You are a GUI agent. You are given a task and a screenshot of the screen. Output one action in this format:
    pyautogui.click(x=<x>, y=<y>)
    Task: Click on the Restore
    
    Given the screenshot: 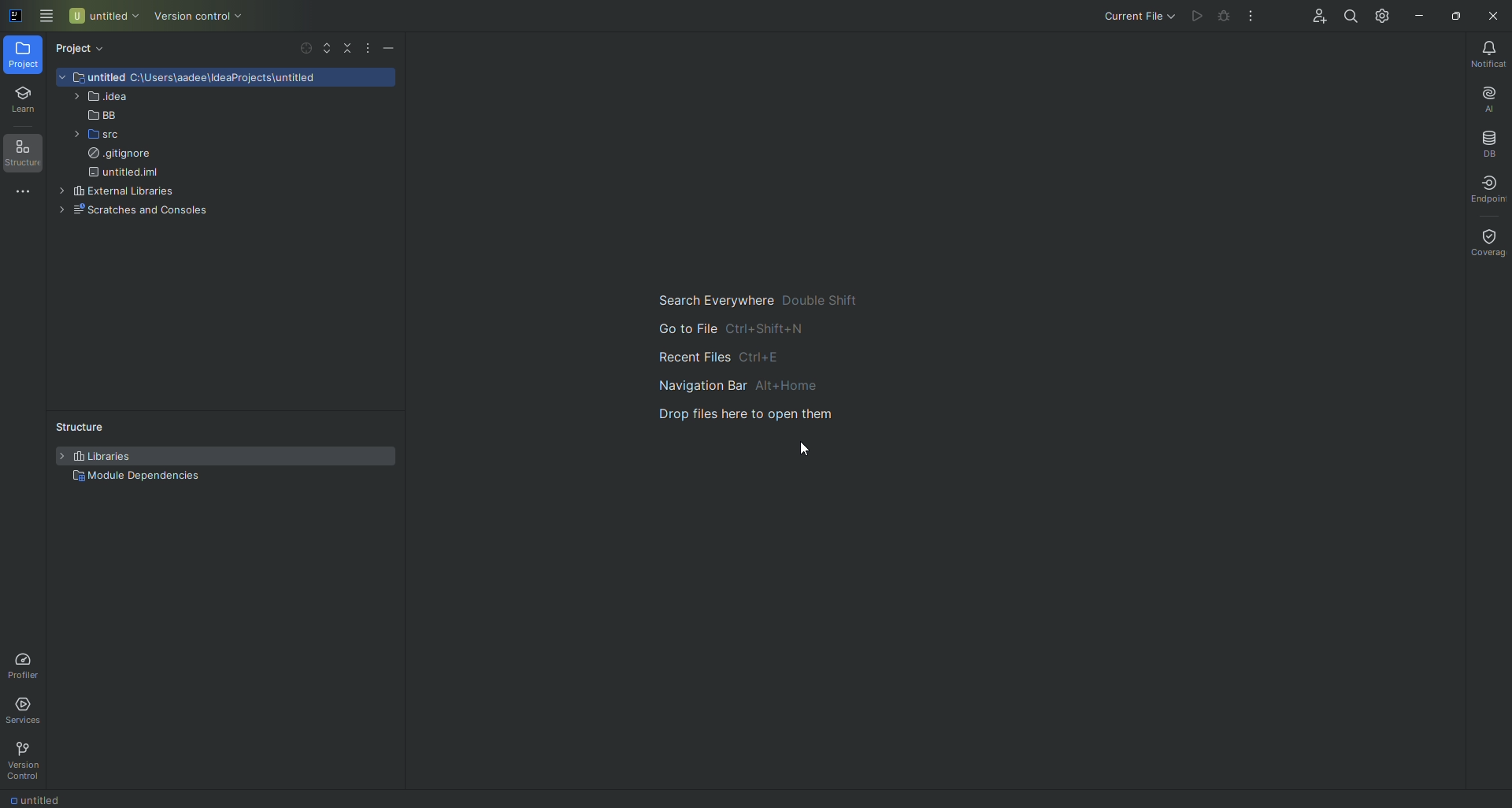 What is the action you would take?
    pyautogui.click(x=1452, y=14)
    